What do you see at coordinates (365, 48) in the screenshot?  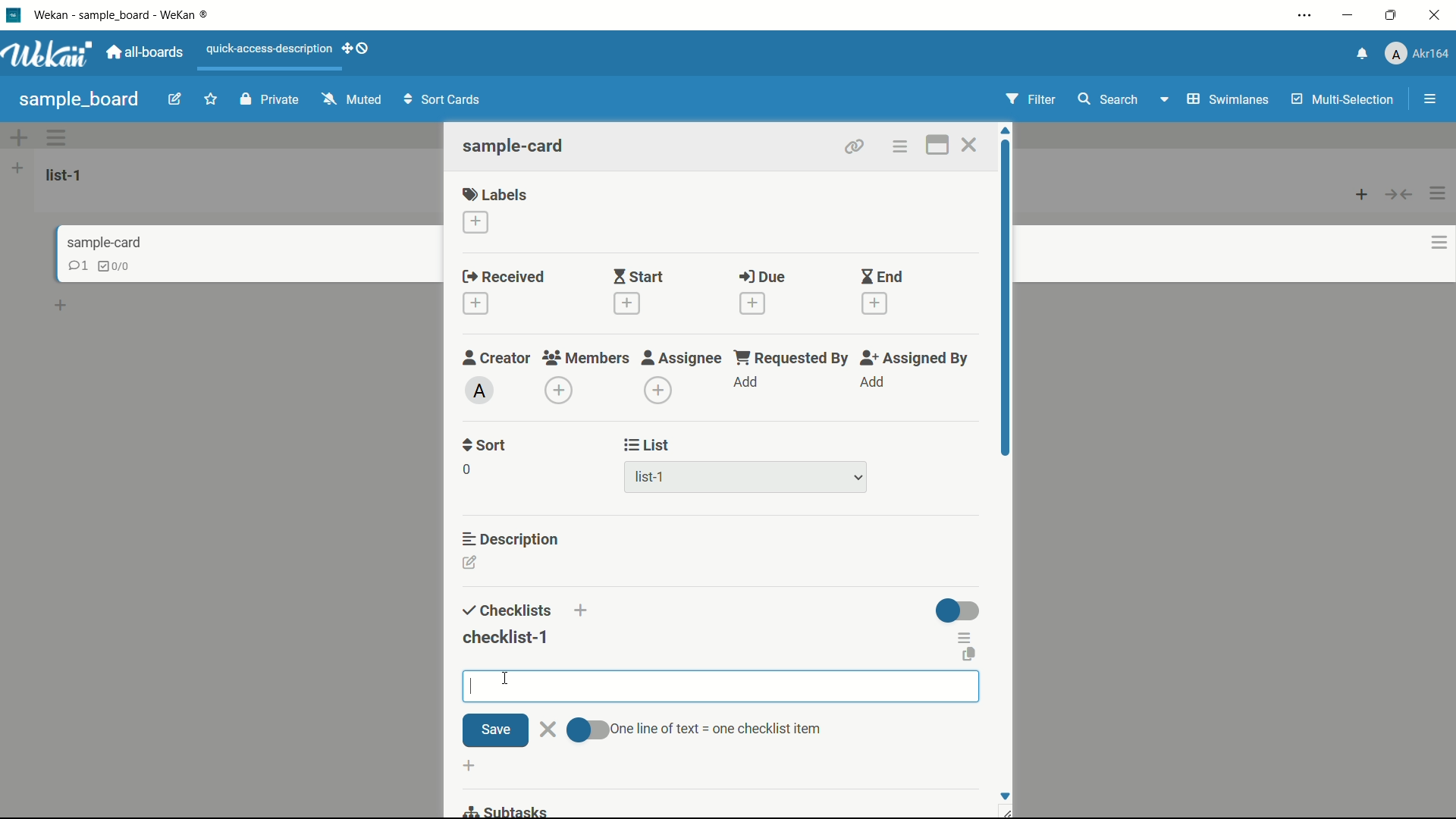 I see `show-desktop-drag-handles` at bounding box center [365, 48].